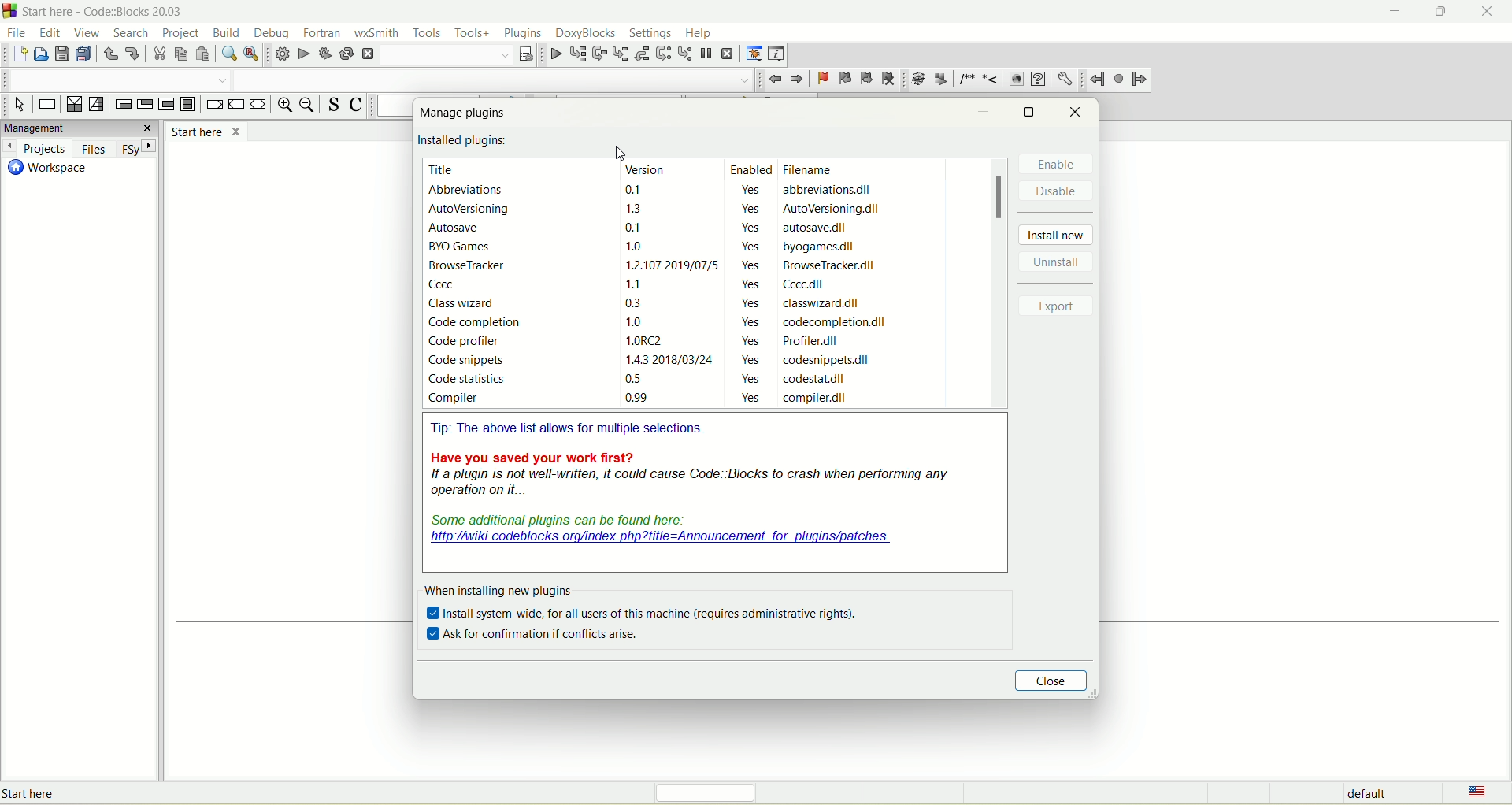 This screenshot has height=805, width=1512. I want to click on step out, so click(644, 54).